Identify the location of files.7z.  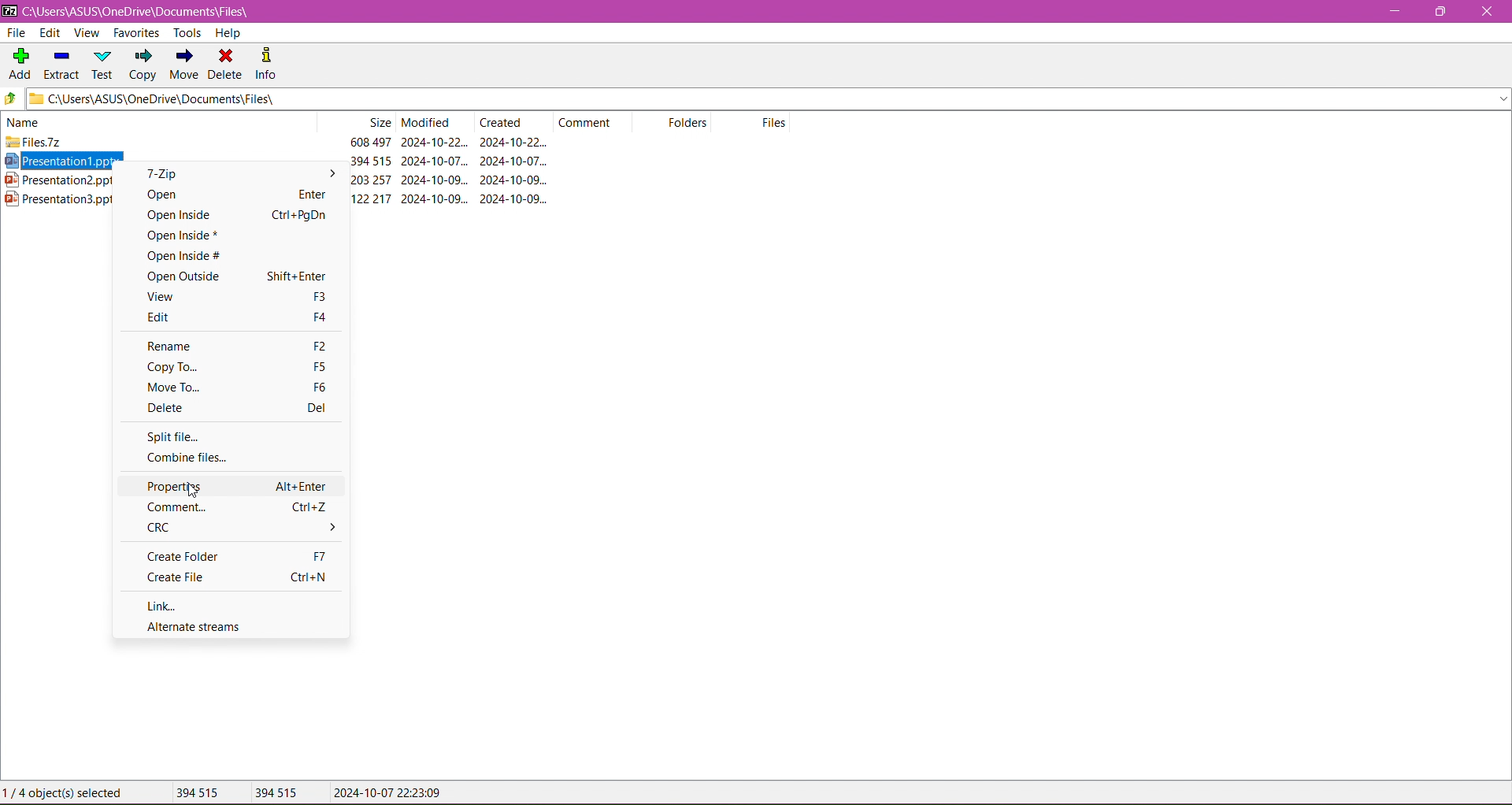
(33, 142).